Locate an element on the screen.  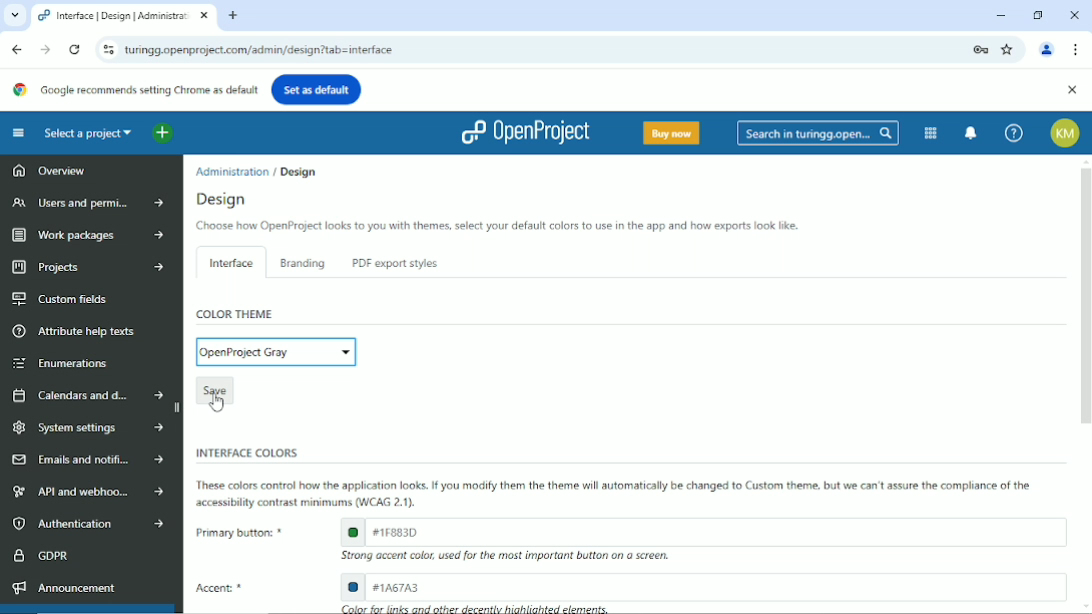
Google recommends setting Chrome as default is located at coordinates (135, 89).